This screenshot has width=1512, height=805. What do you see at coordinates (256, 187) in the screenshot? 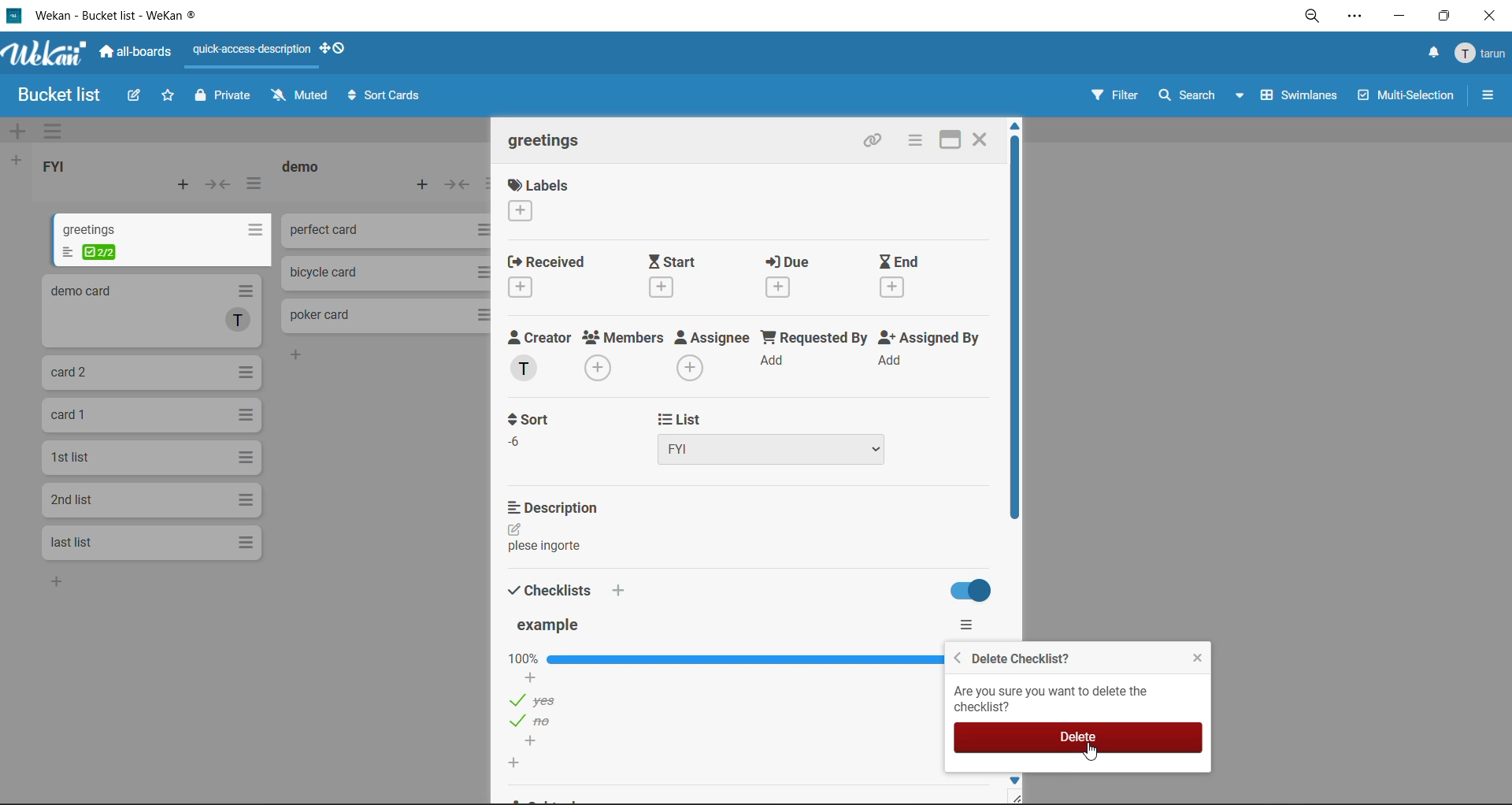
I see `list actions` at bounding box center [256, 187].